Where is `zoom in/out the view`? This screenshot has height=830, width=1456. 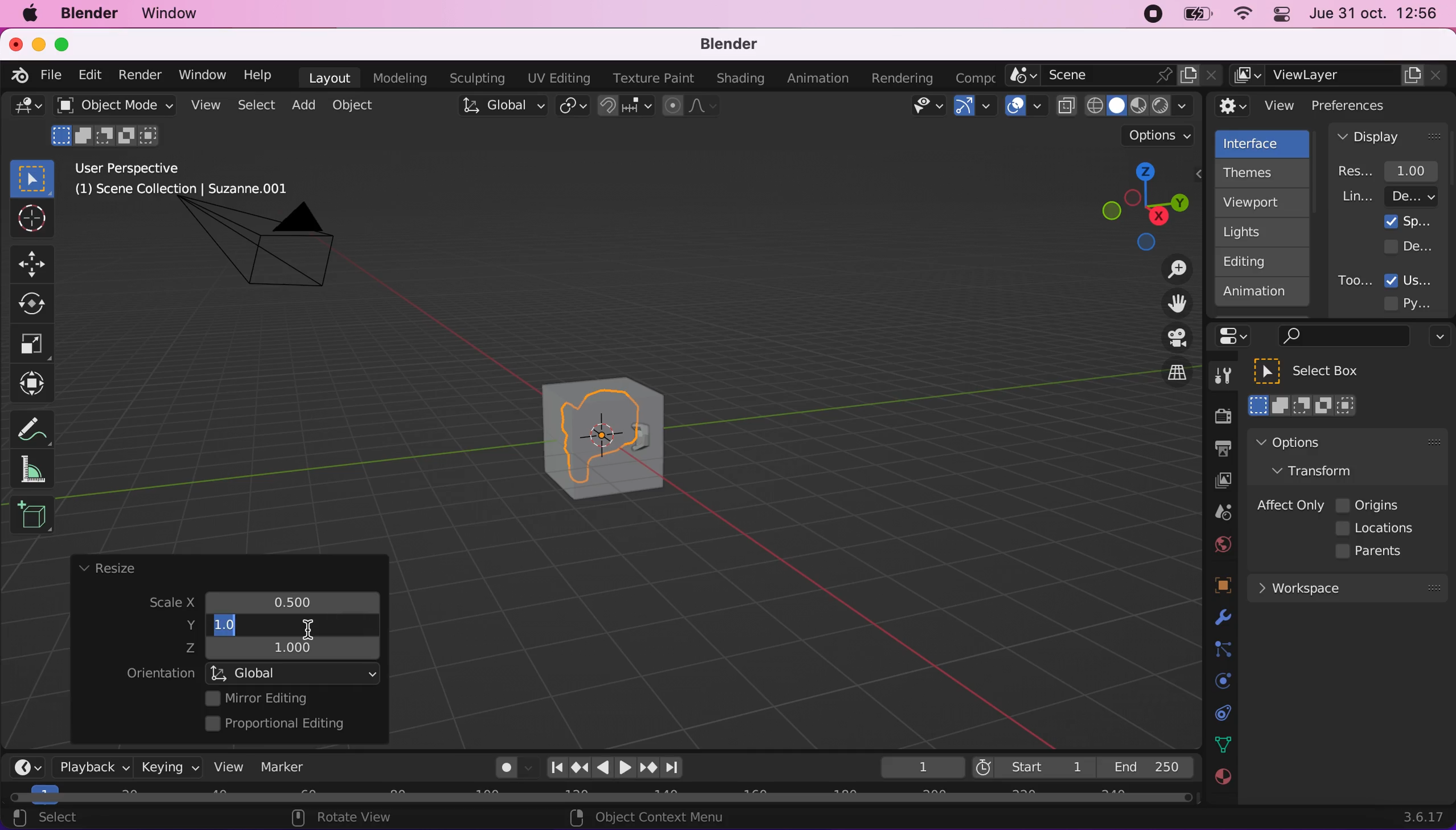 zoom in/out the view is located at coordinates (1171, 269).